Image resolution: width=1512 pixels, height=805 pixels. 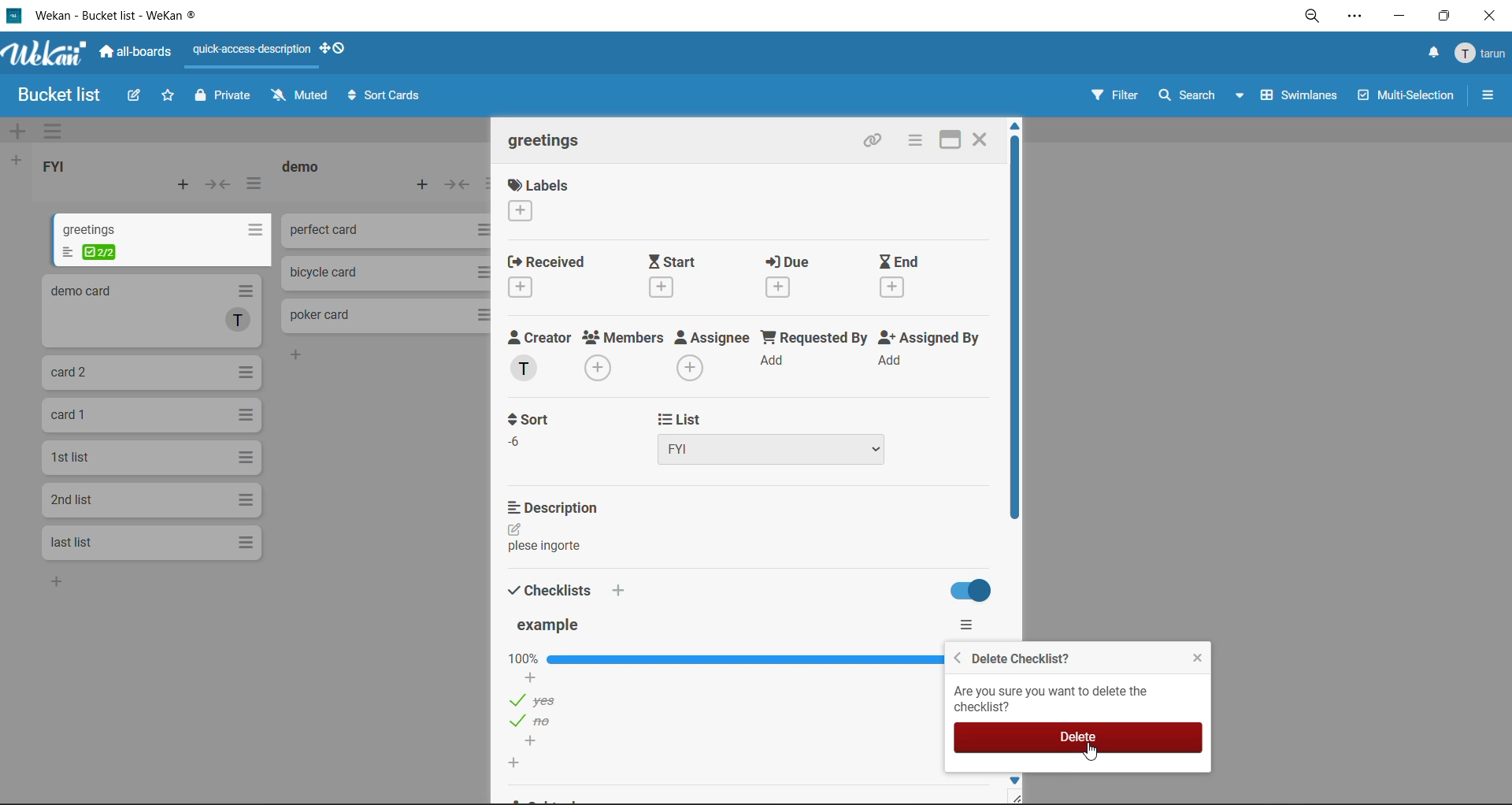 I want to click on requested by, so click(x=809, y=356).